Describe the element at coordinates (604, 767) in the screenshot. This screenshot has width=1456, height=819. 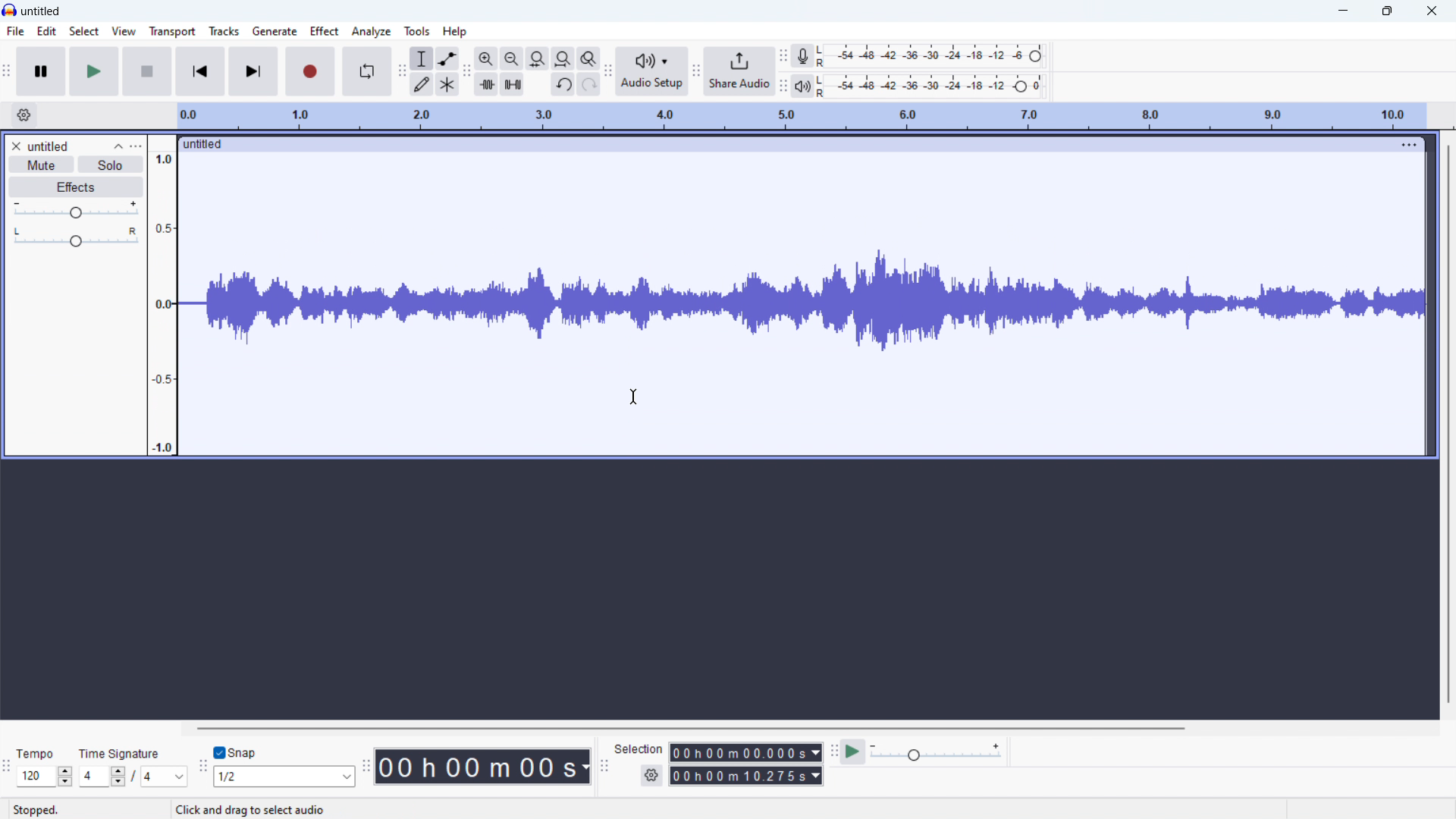
I see `selection toolbar` at that location.